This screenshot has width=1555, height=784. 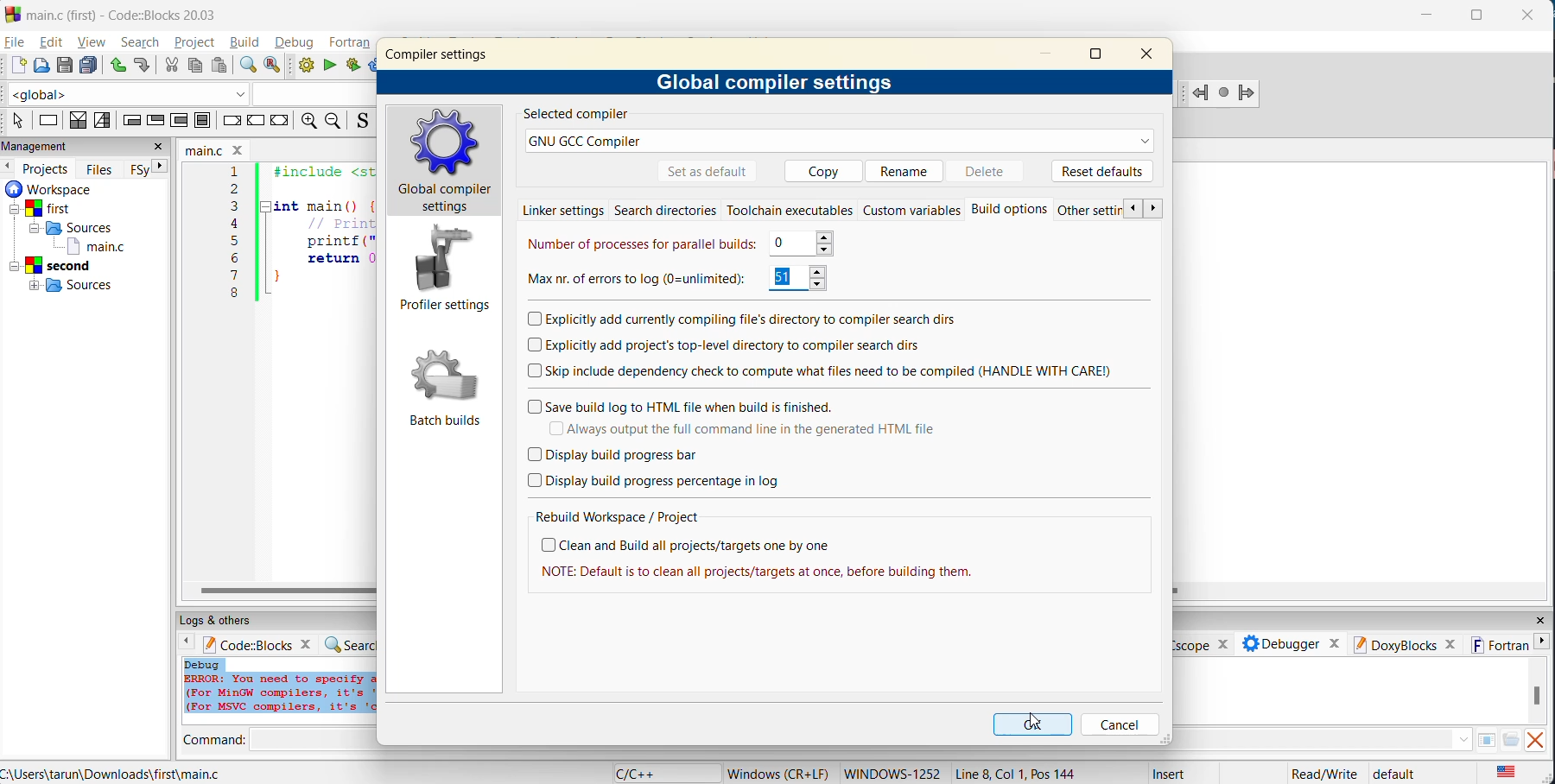 What do you see at coordinates (1476, 15) in the screenshot?
I see `maximize` at bounding box center [1476, 15].